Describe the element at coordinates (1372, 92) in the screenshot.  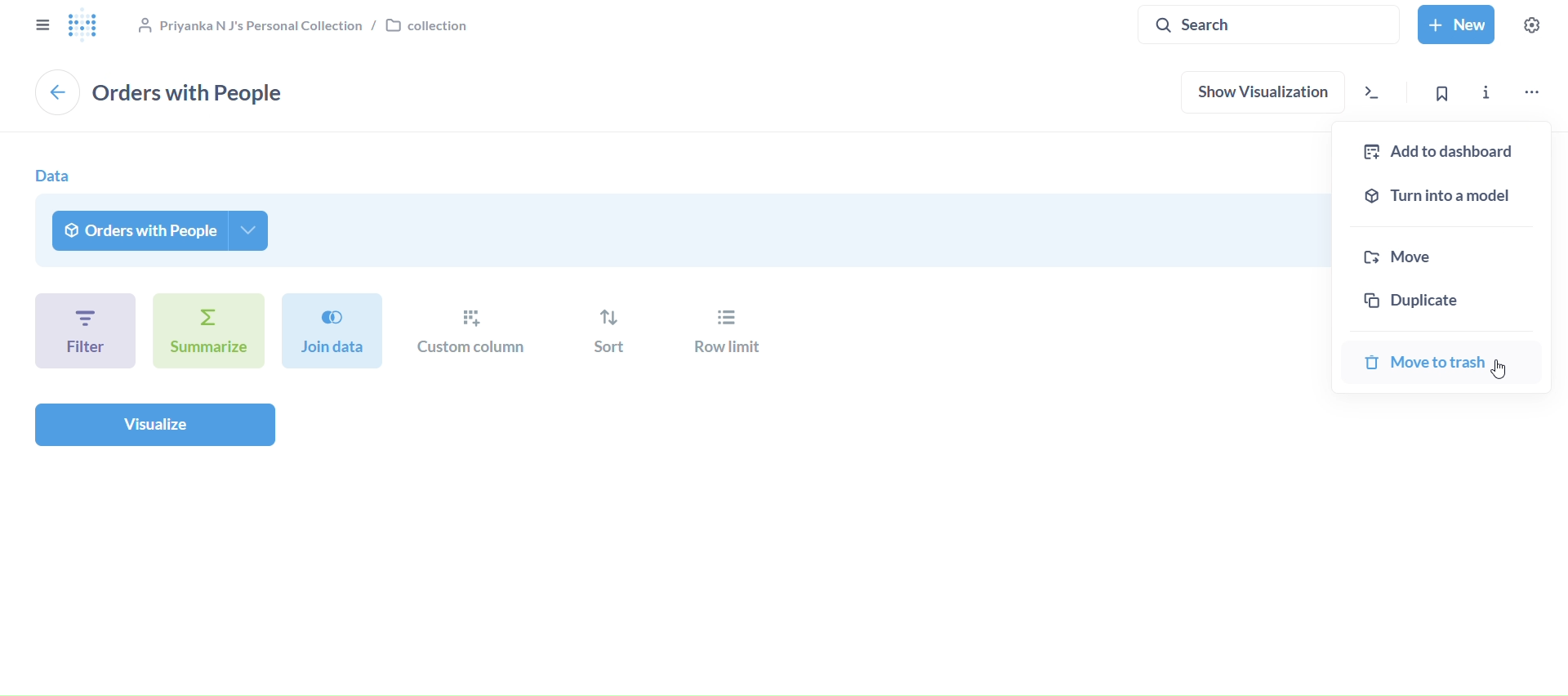
I see `view the sql` at that location.